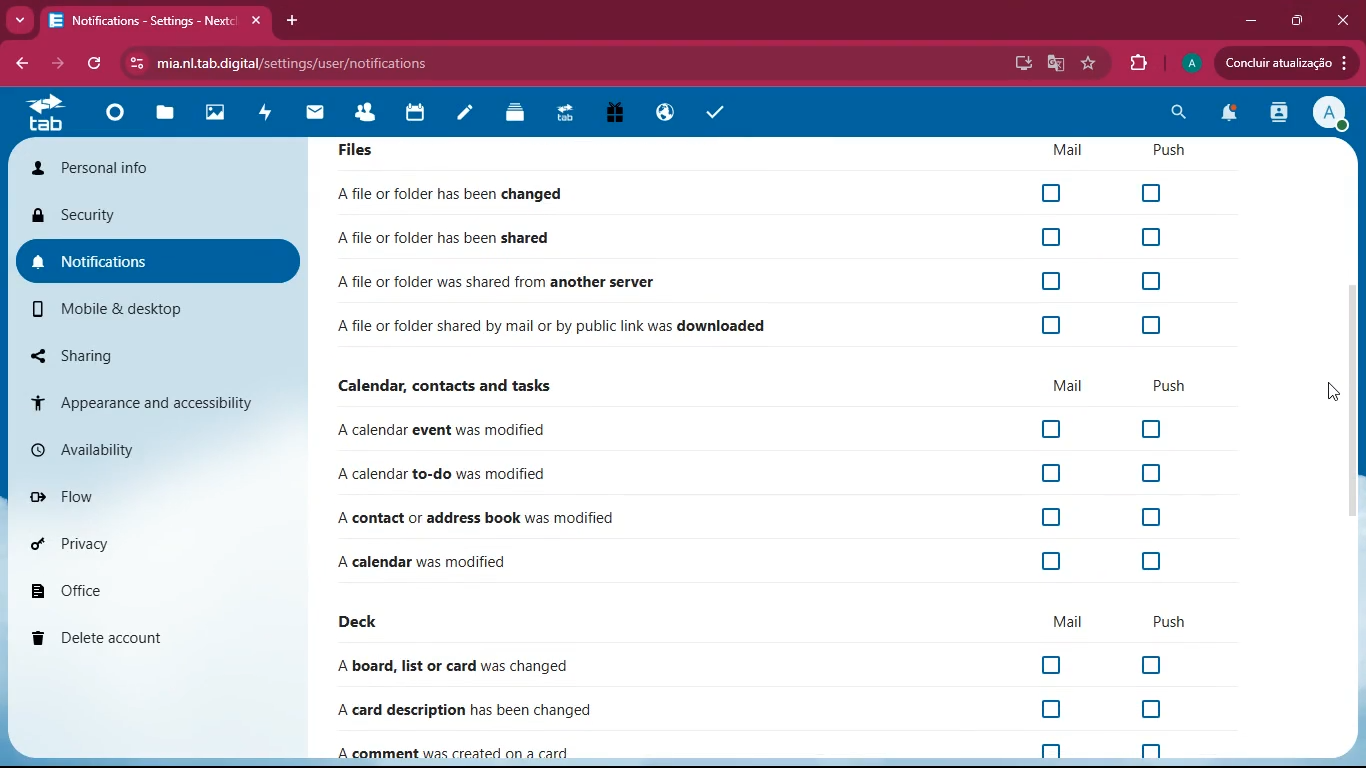 This screenshot has width=1366, height=768. What do you see at coordinates (1150, 710) in the screenshot?
I see `off` at bounding box center [1150, 710].